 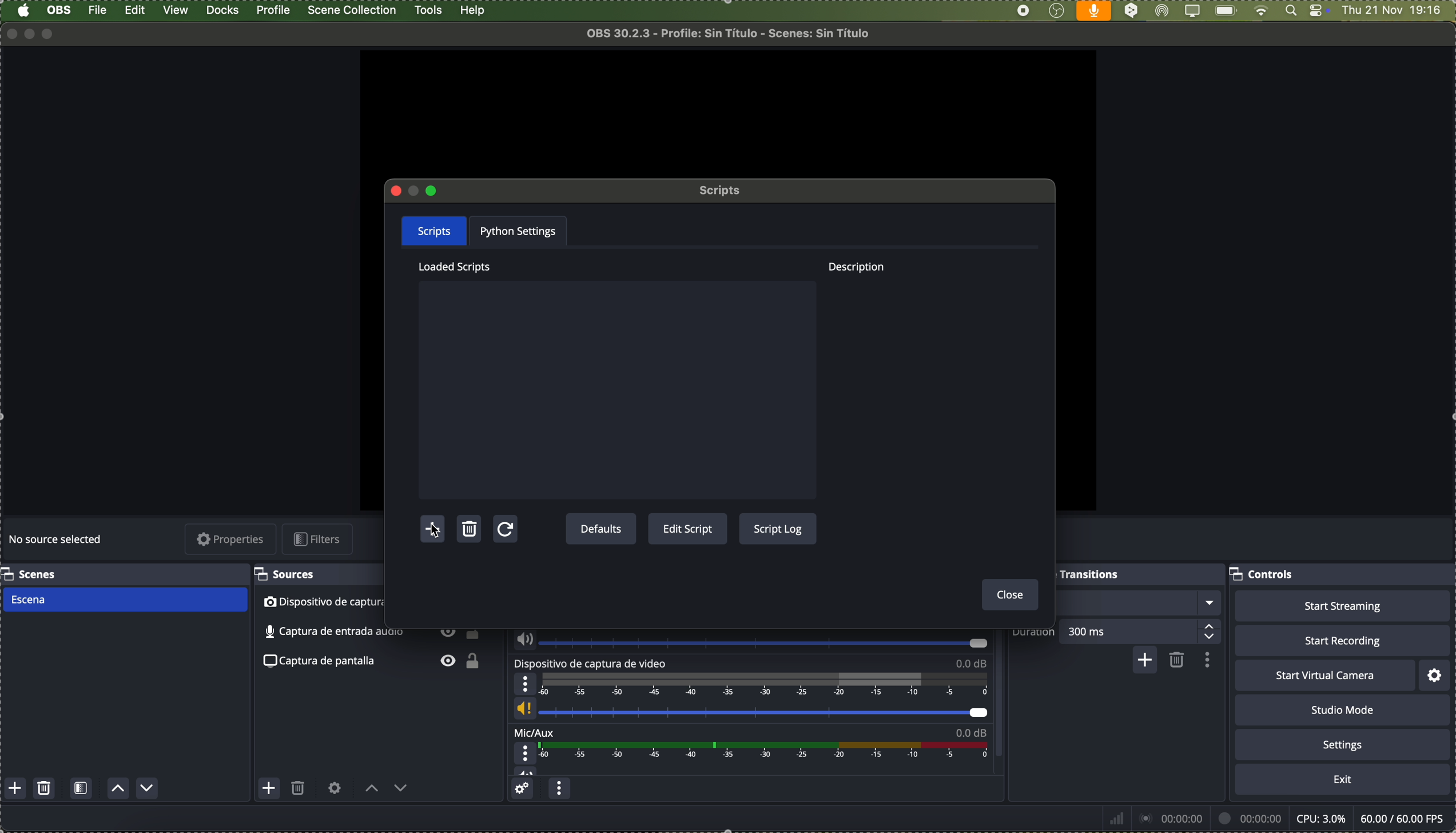 What do you see at coordinates (30, 33) in the screenshot?
I see `minimize program` at bounding box center [30, 33].